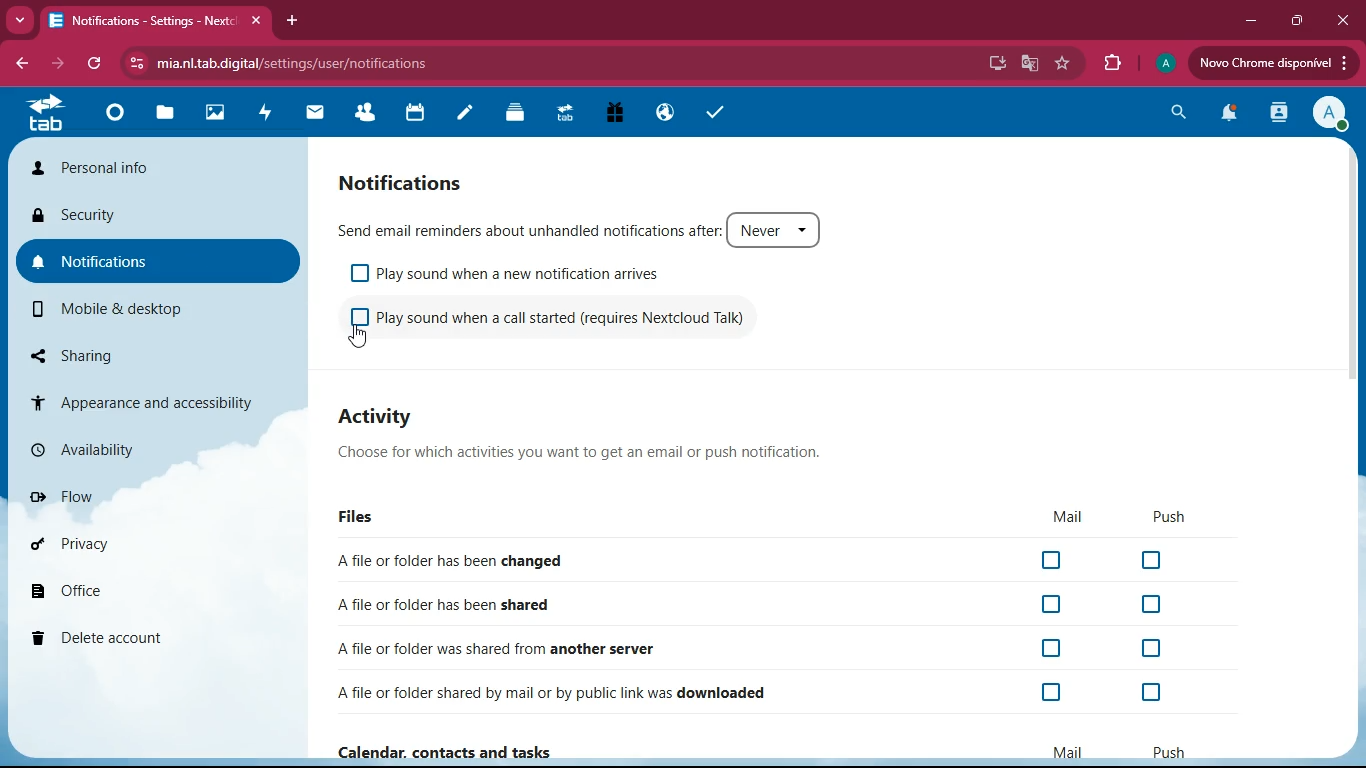  What do you see at coordinates (73, 216) in the screenshot?
I see `security` at bounding box center [73, 216].